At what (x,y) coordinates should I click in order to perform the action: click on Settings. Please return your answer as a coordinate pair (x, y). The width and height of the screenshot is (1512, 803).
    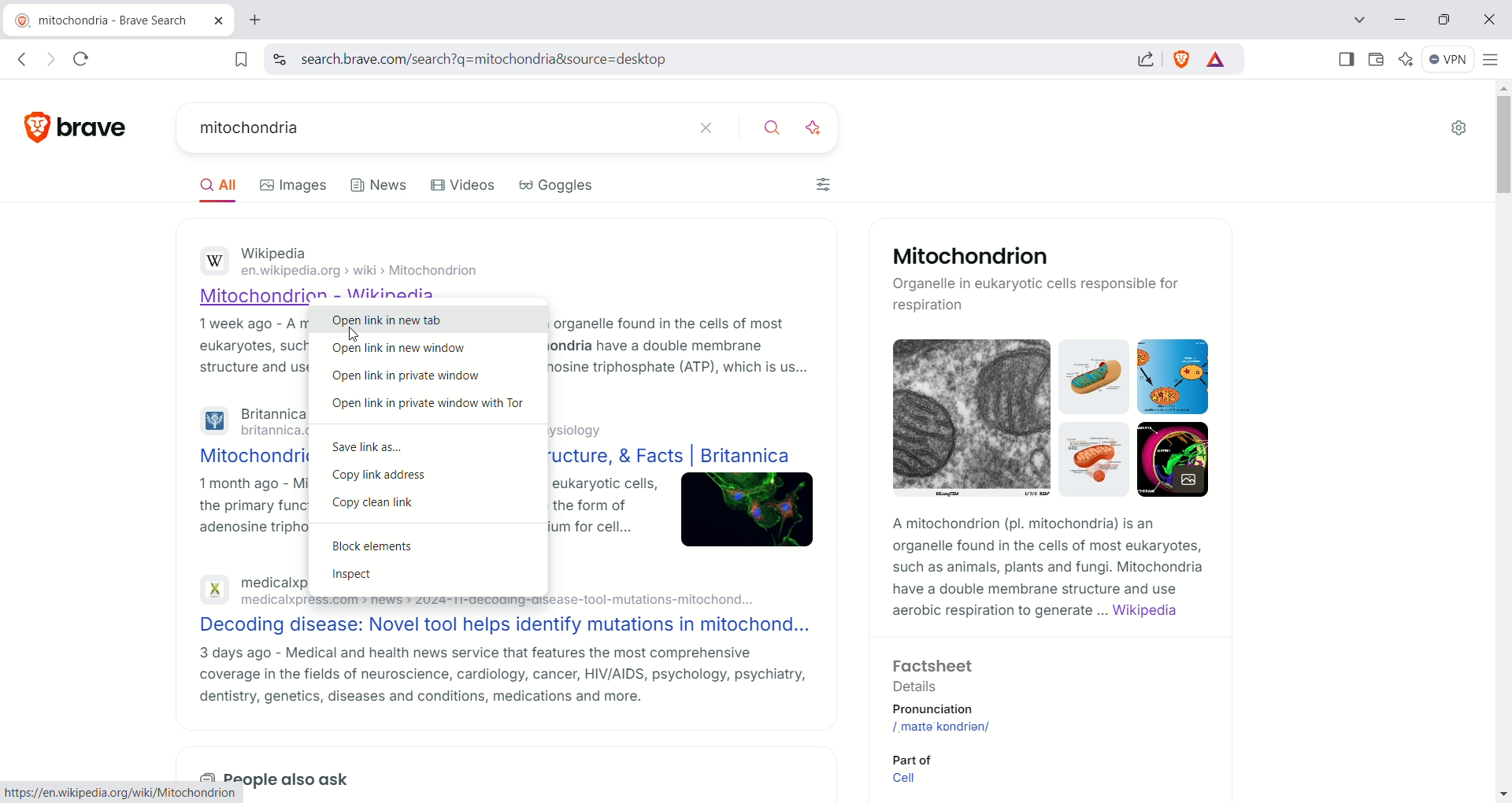
    Looking at the image, I should click on (1458, 127).